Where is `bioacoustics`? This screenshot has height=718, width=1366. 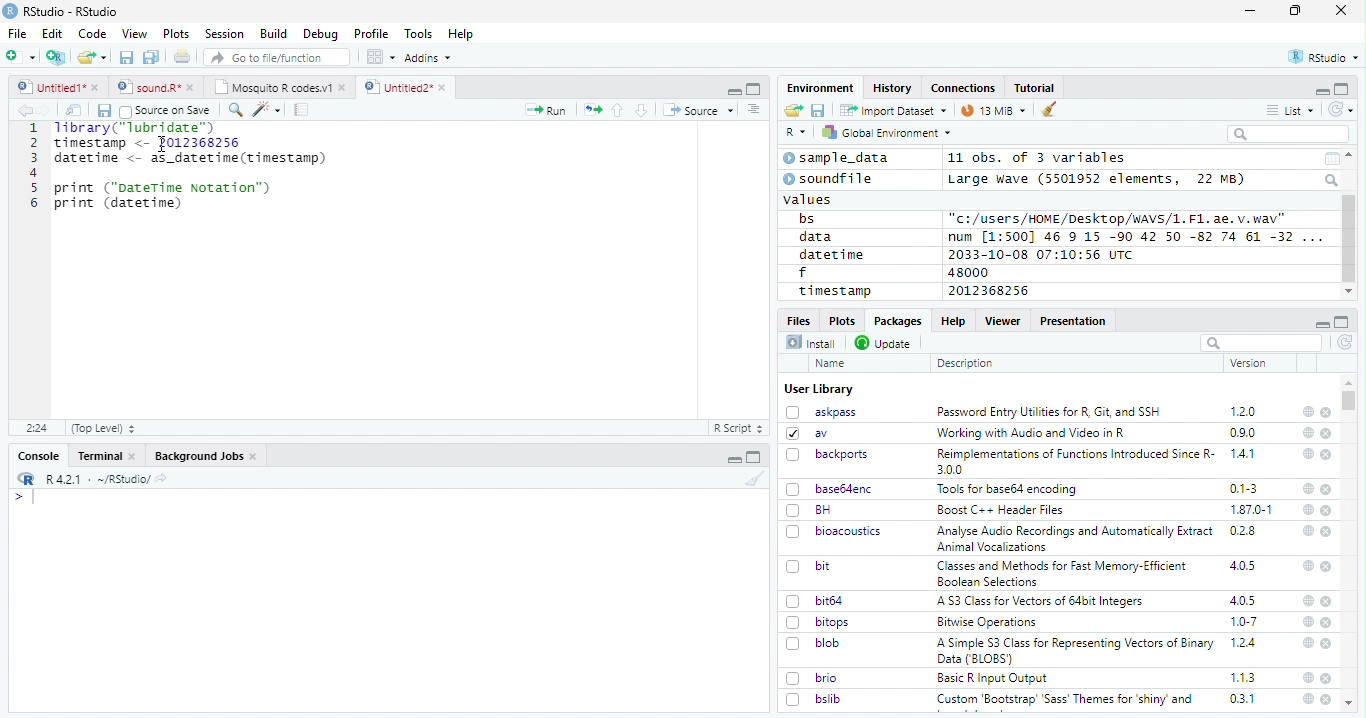 bioacoustics is located at coordinates (834, 531).